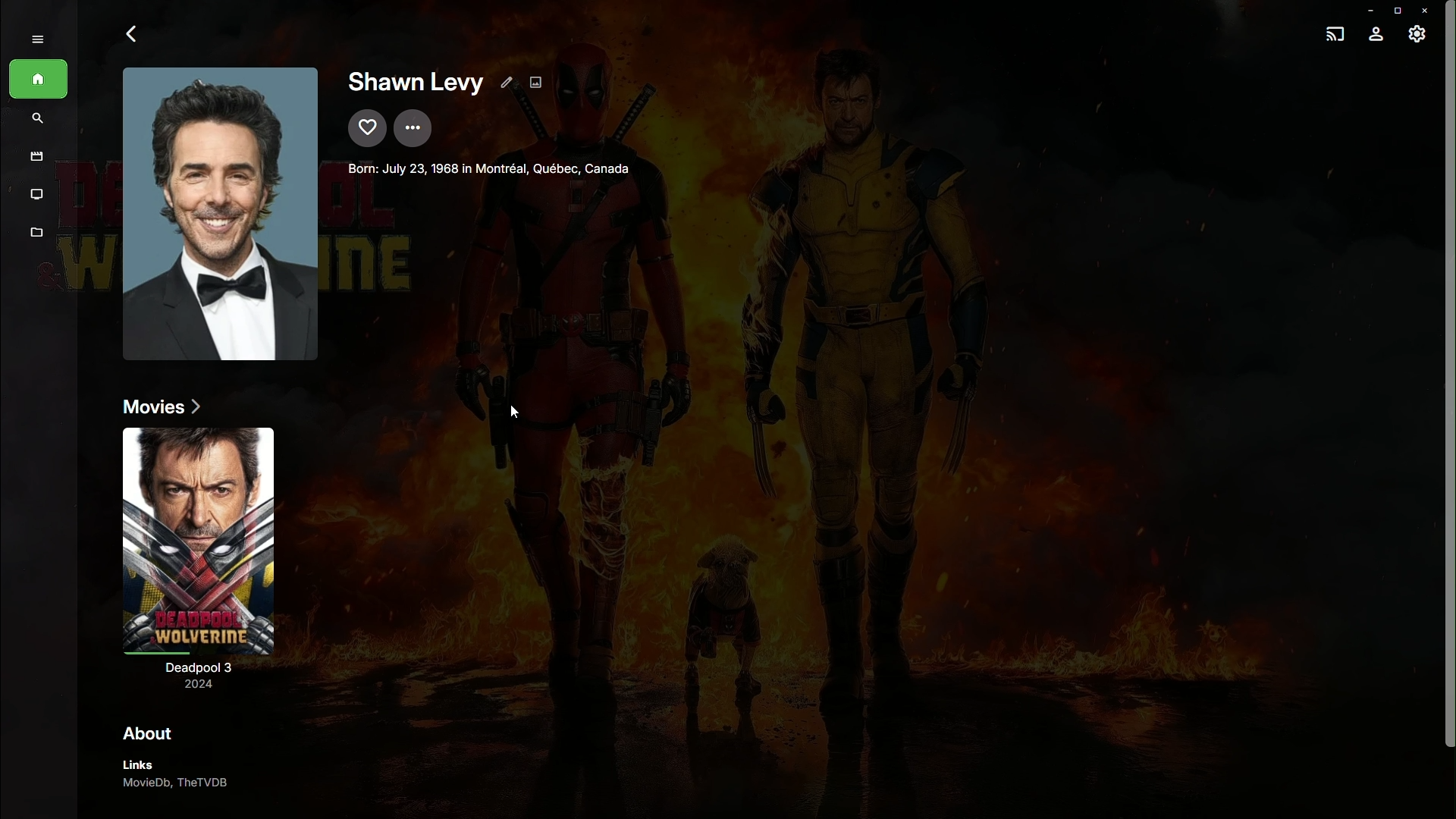  I want to click on Minimize, so click(1367, 8).